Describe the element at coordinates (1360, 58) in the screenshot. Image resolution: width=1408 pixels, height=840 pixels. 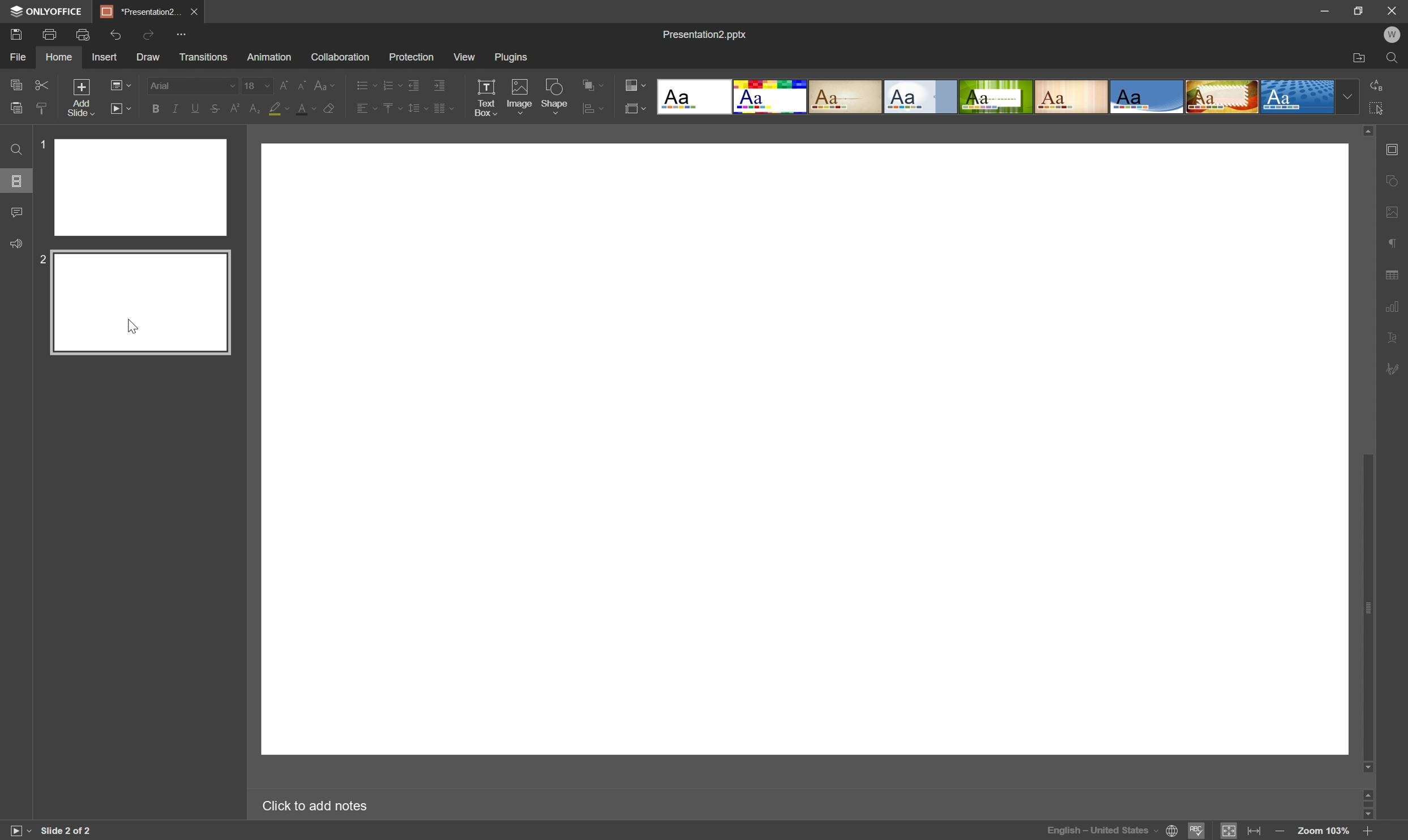
I see `Open file location` at that location.